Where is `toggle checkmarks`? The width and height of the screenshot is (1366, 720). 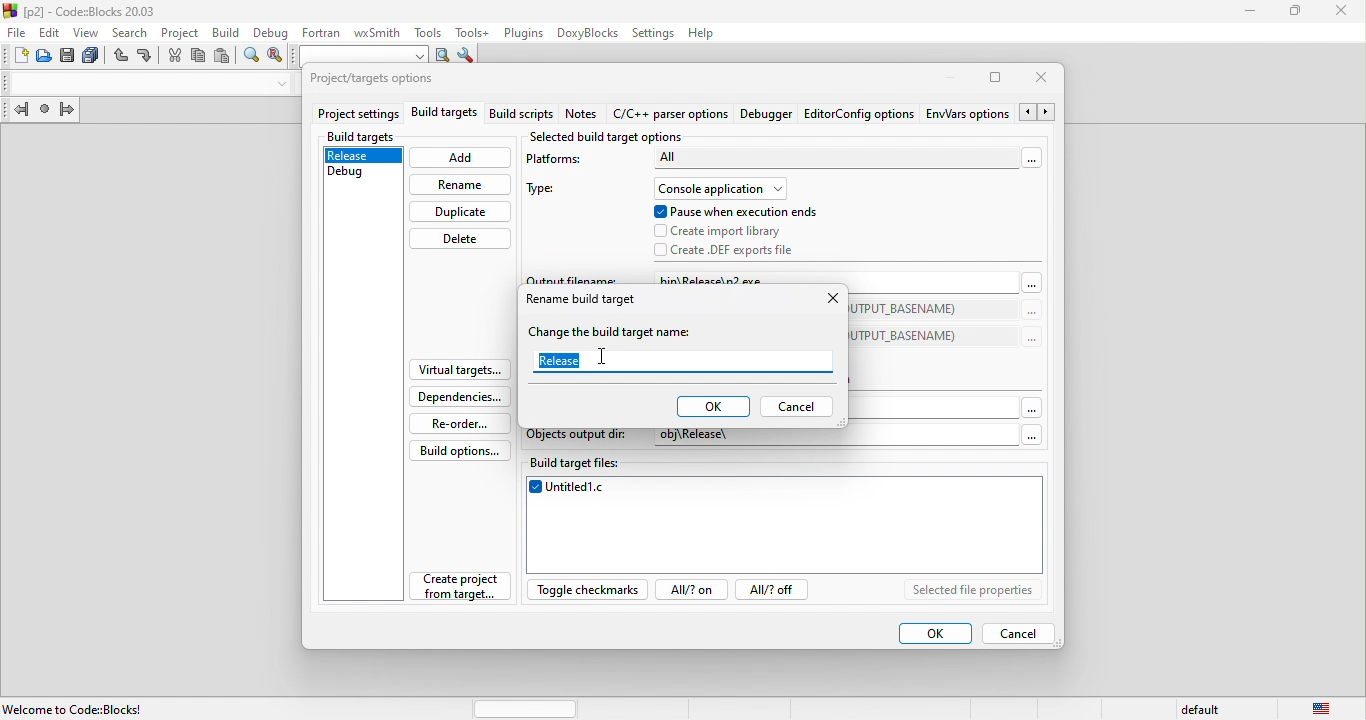
toggle checkmarks is located at coordinates (590, 590).